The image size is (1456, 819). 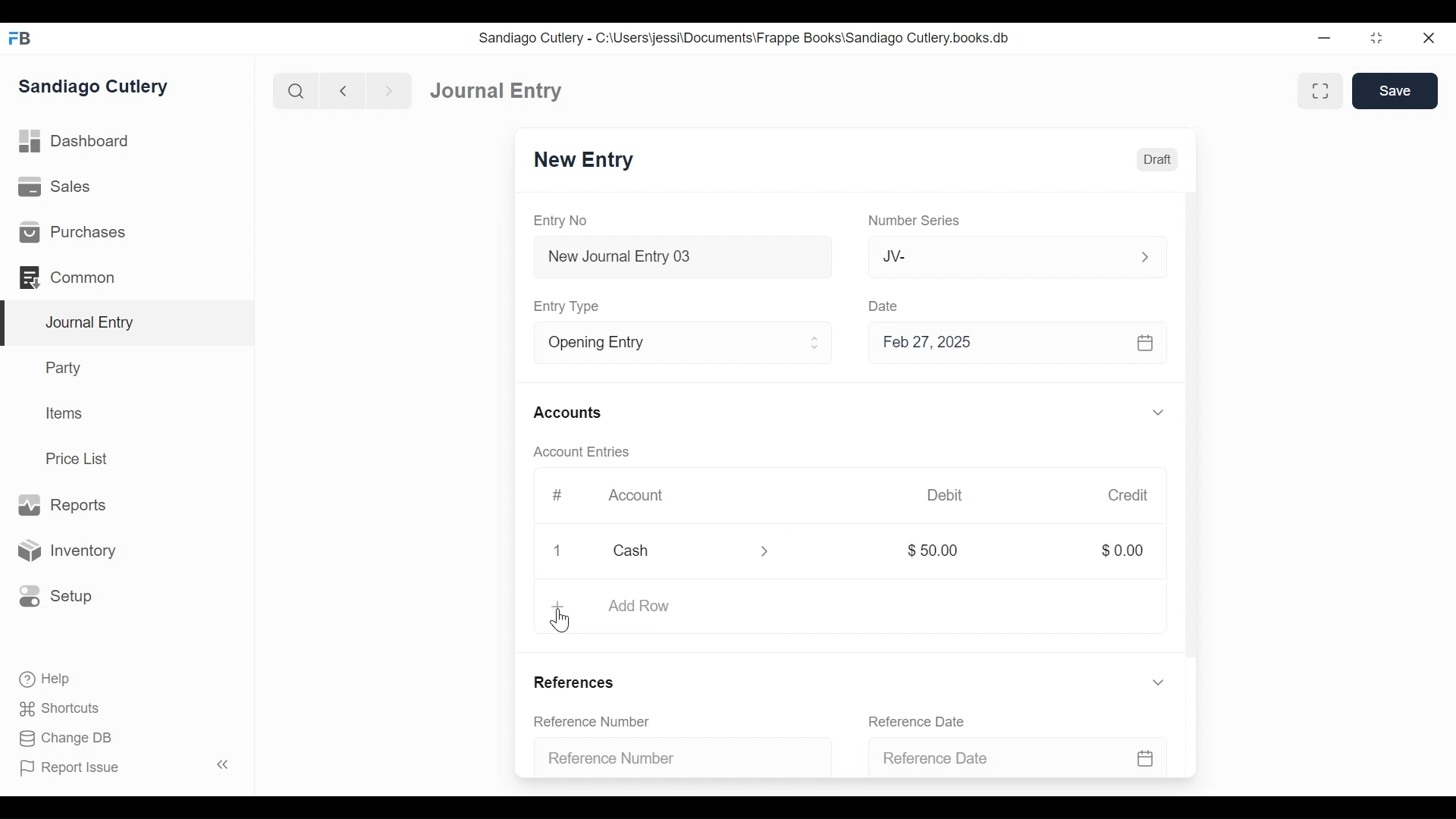 I want to click on Journal Entry, so click(x=498, y=91).